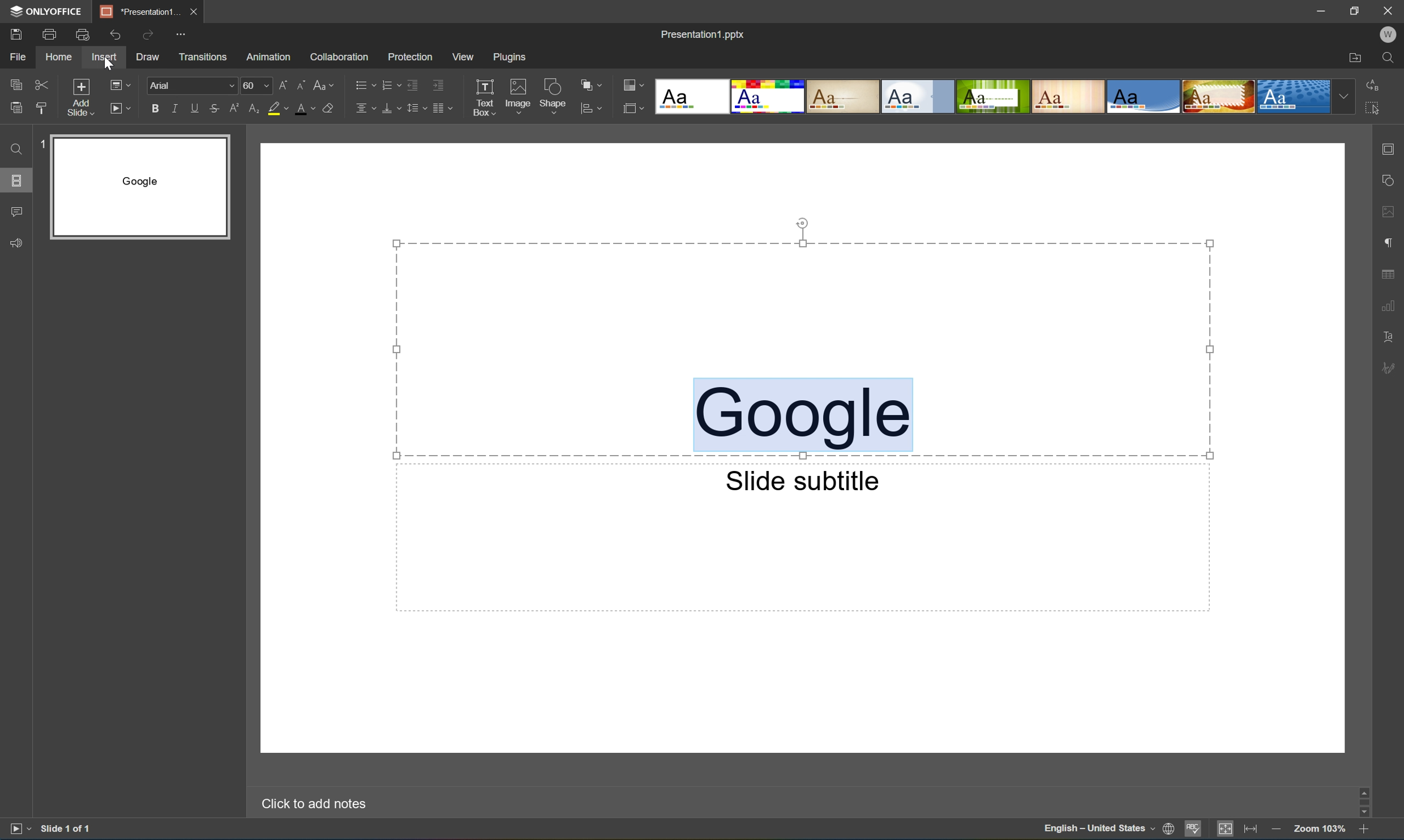 This screenshot has height=840, width=1404. I want to click on Feedback and support, so click(16, 242).